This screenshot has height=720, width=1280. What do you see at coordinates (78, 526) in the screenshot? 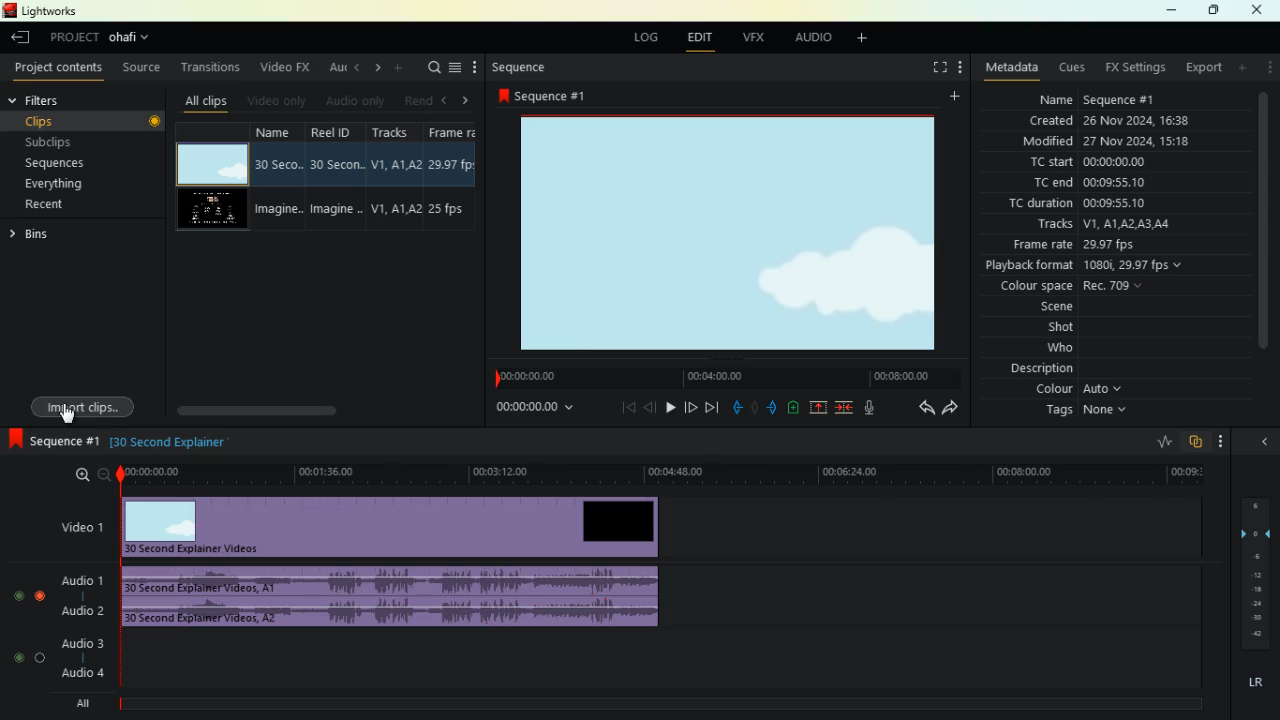
I see `video1` at bounding box center [78, 526].